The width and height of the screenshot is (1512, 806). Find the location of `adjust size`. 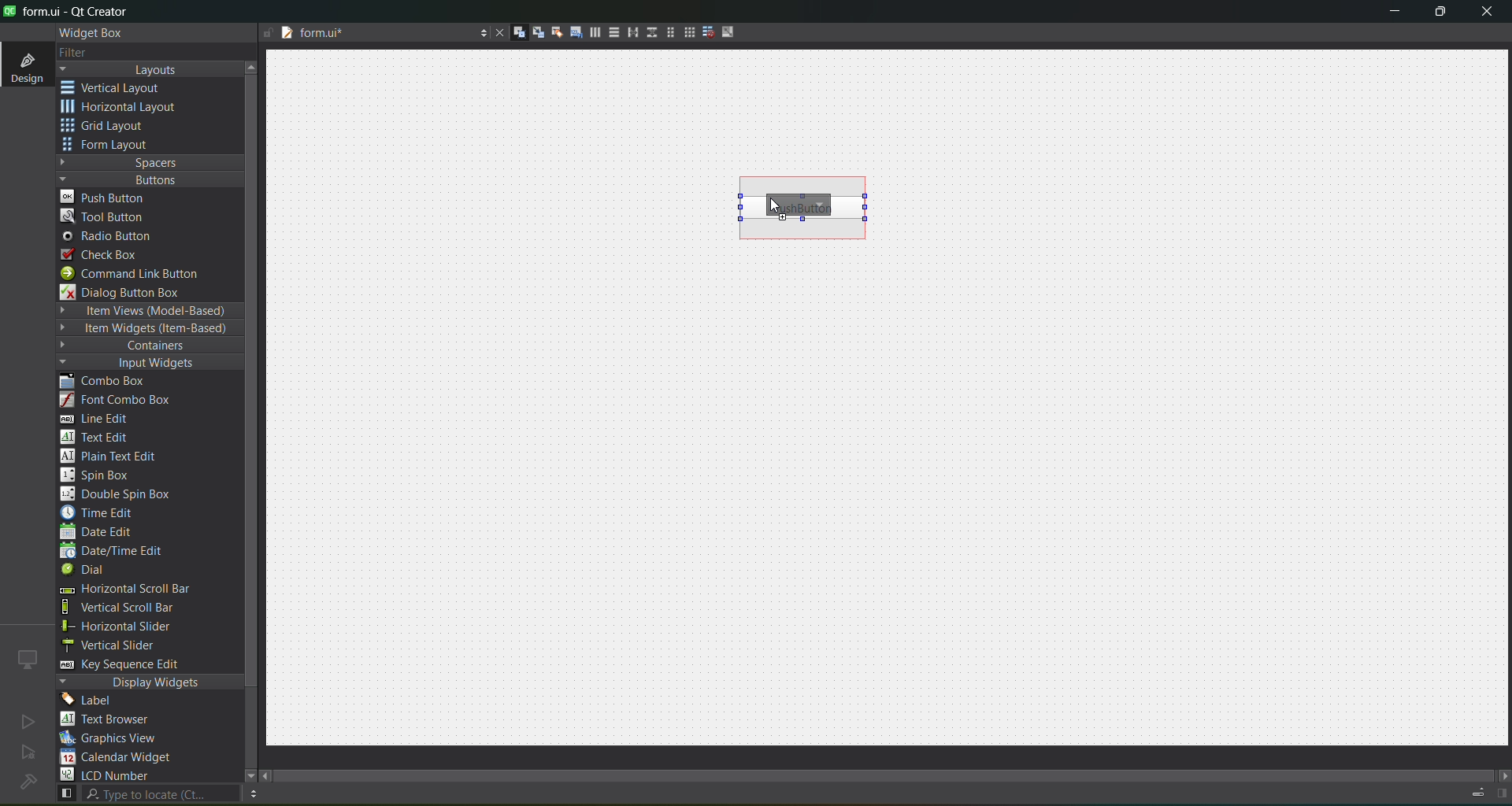

adjust size is located at coordinates (732, 31).